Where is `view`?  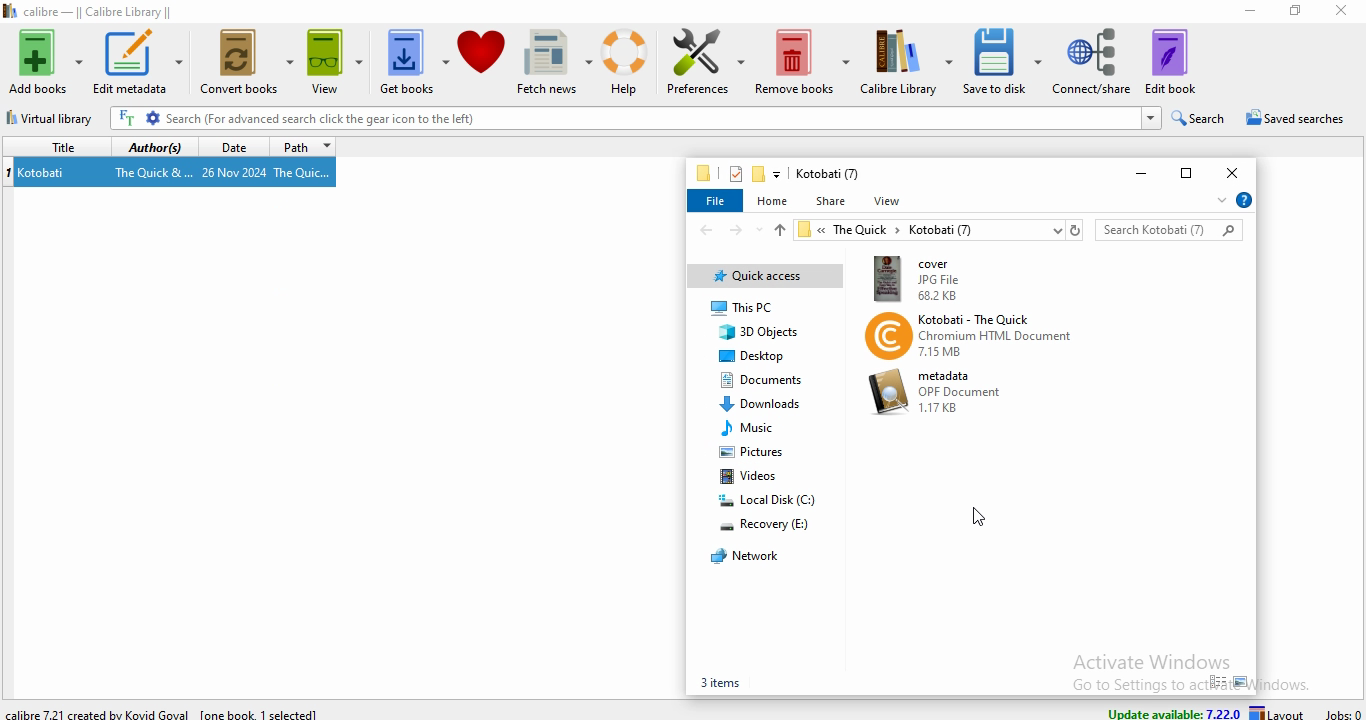 view is located at coordinates (337, 63).